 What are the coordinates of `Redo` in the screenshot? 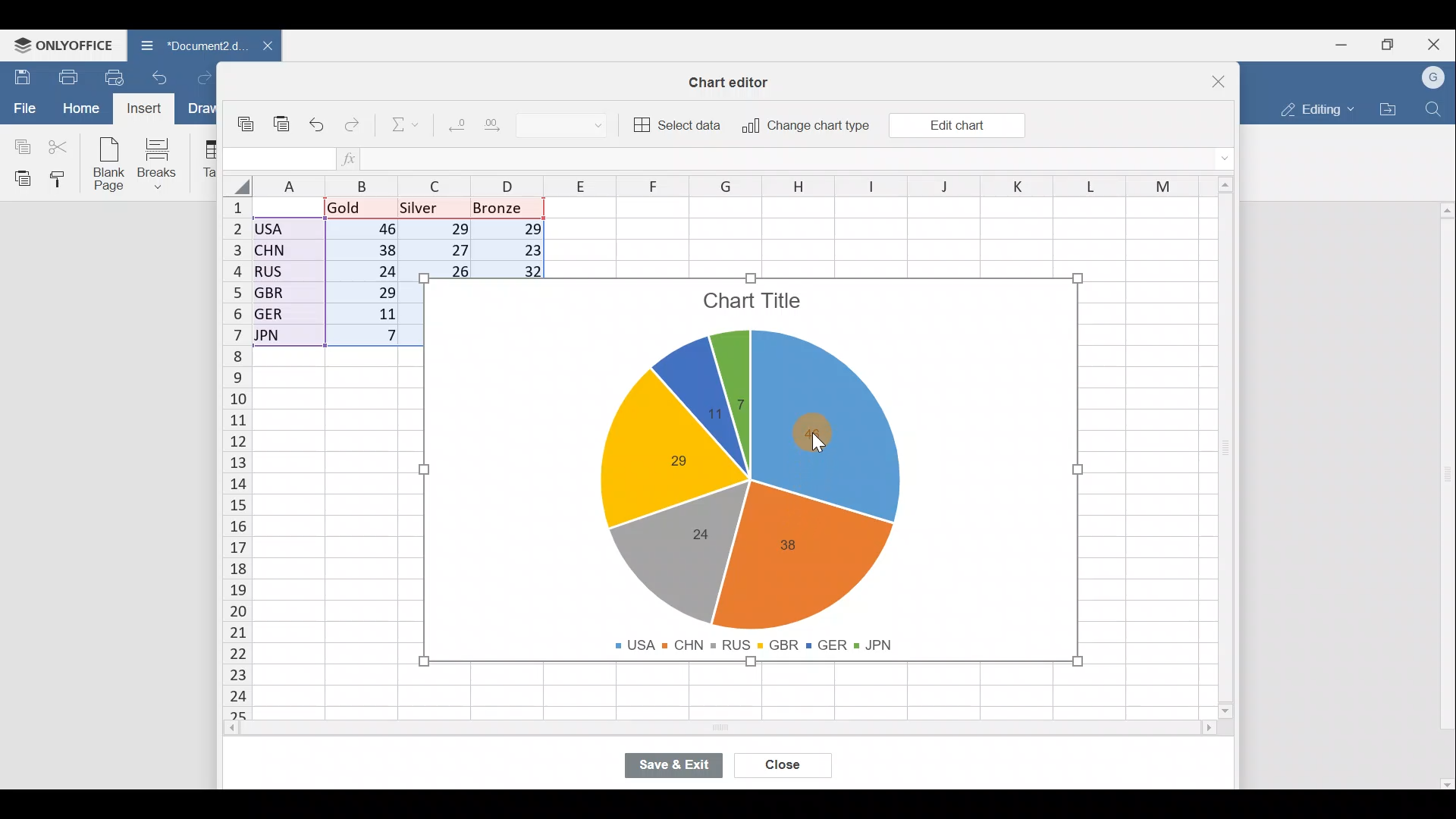 It's located at (210, 79).